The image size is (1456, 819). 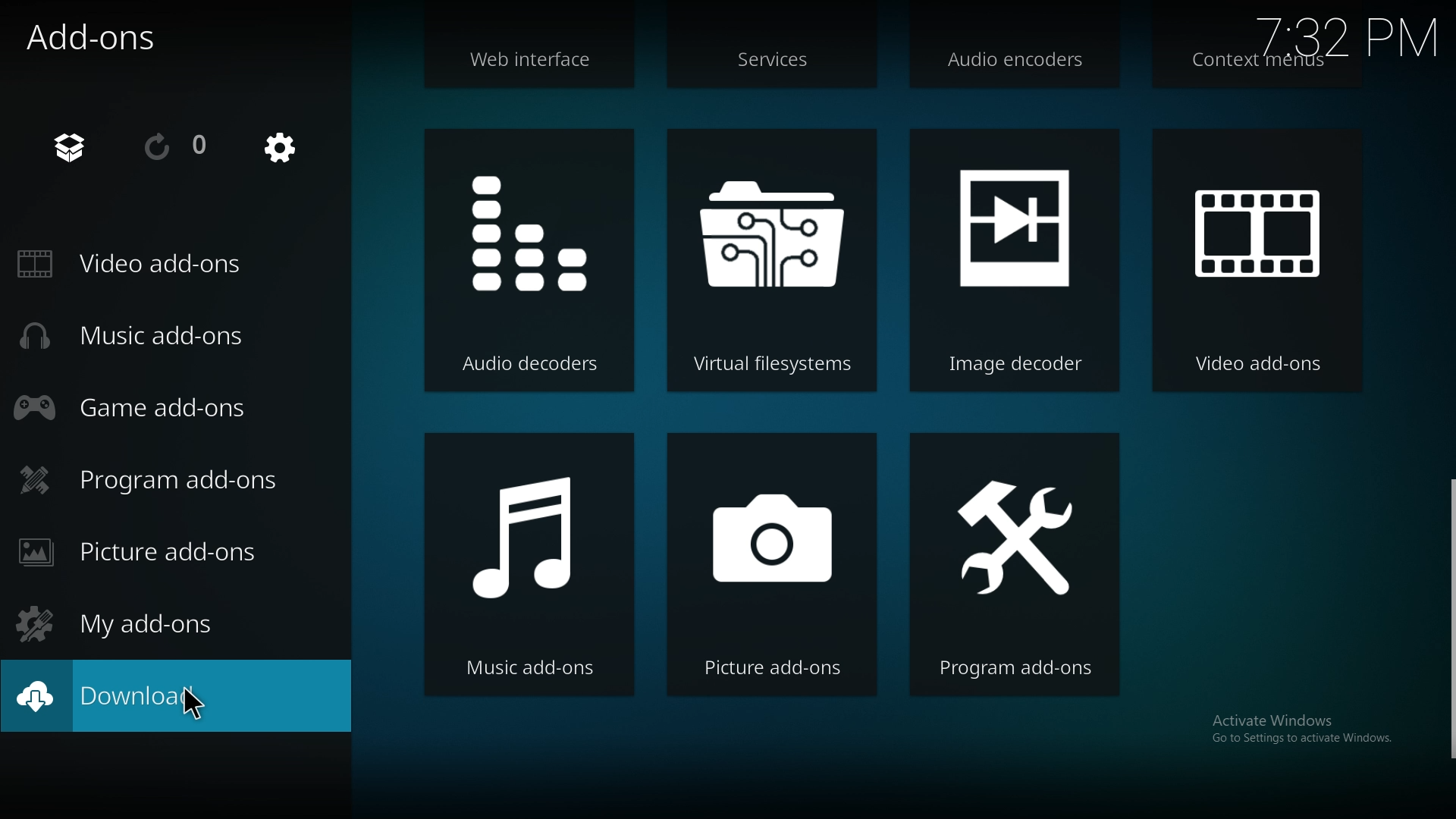 What do you see at coordinates (1449, 620) in the screenshot?
I see `scroll bar` at bounding box center [1449, 620].